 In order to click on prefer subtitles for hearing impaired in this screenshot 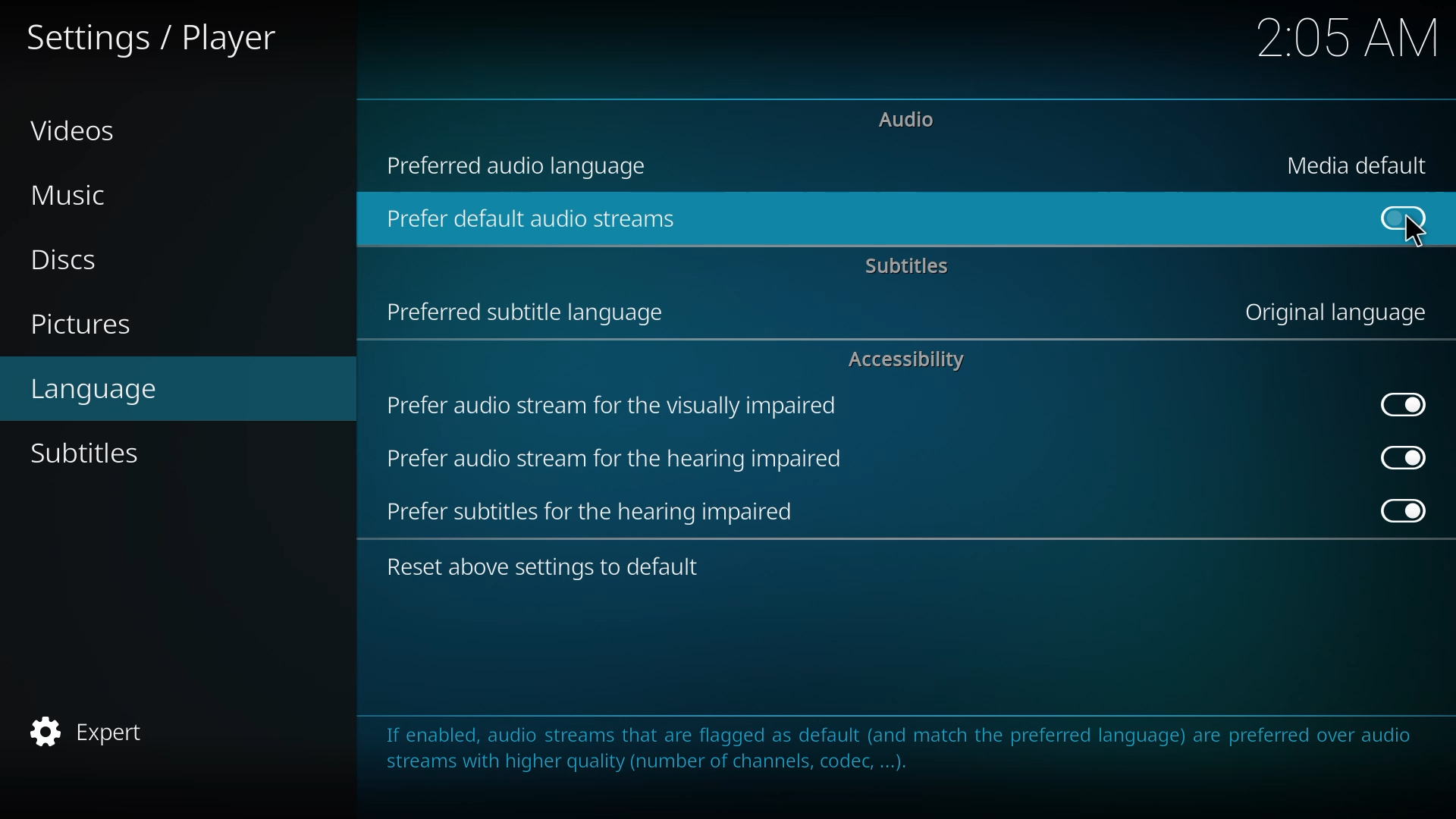, I will do `click(590, 510)`.